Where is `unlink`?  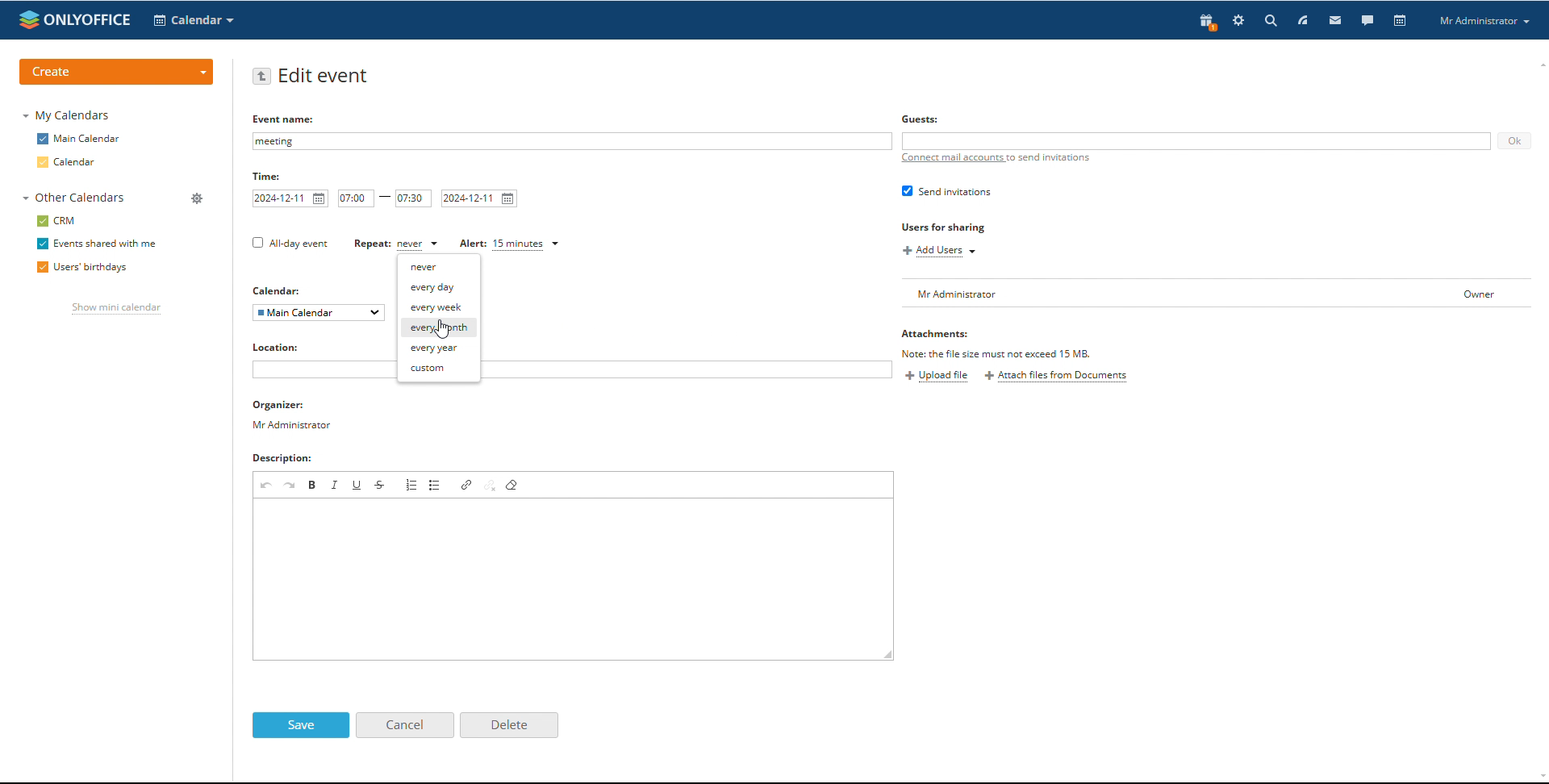 unlink is located at coordinates (491, 485).